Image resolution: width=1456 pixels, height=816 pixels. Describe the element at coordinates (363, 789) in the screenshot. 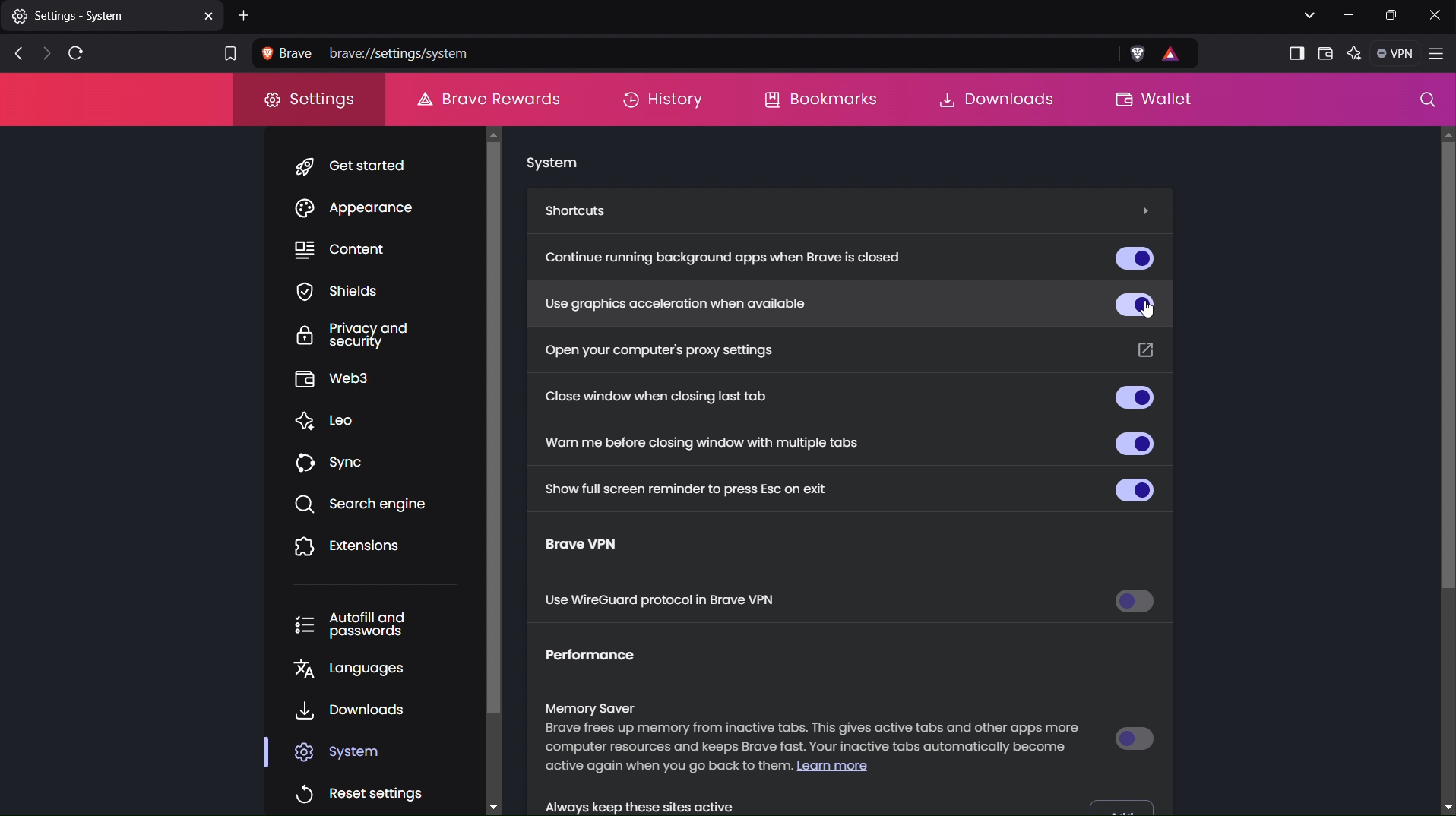

I see `Reset settings` at that location.